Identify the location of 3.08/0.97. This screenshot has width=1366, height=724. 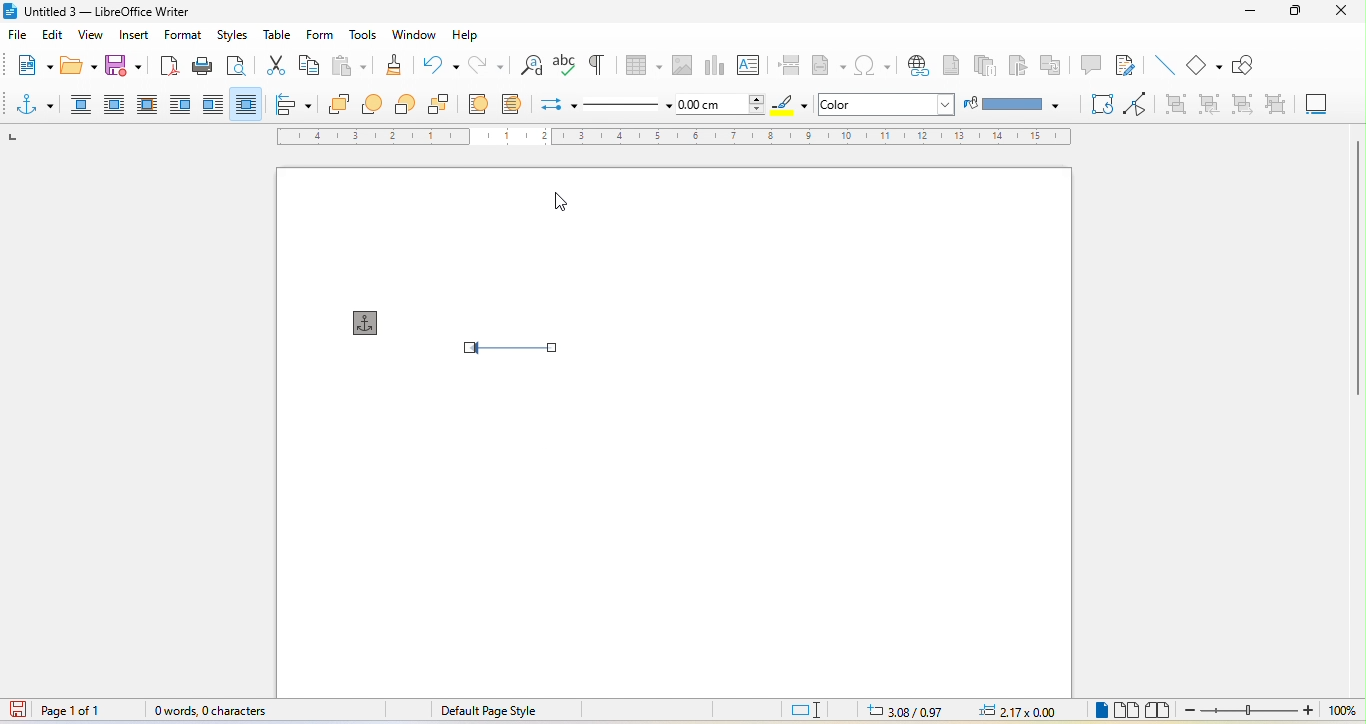
(911, 710).